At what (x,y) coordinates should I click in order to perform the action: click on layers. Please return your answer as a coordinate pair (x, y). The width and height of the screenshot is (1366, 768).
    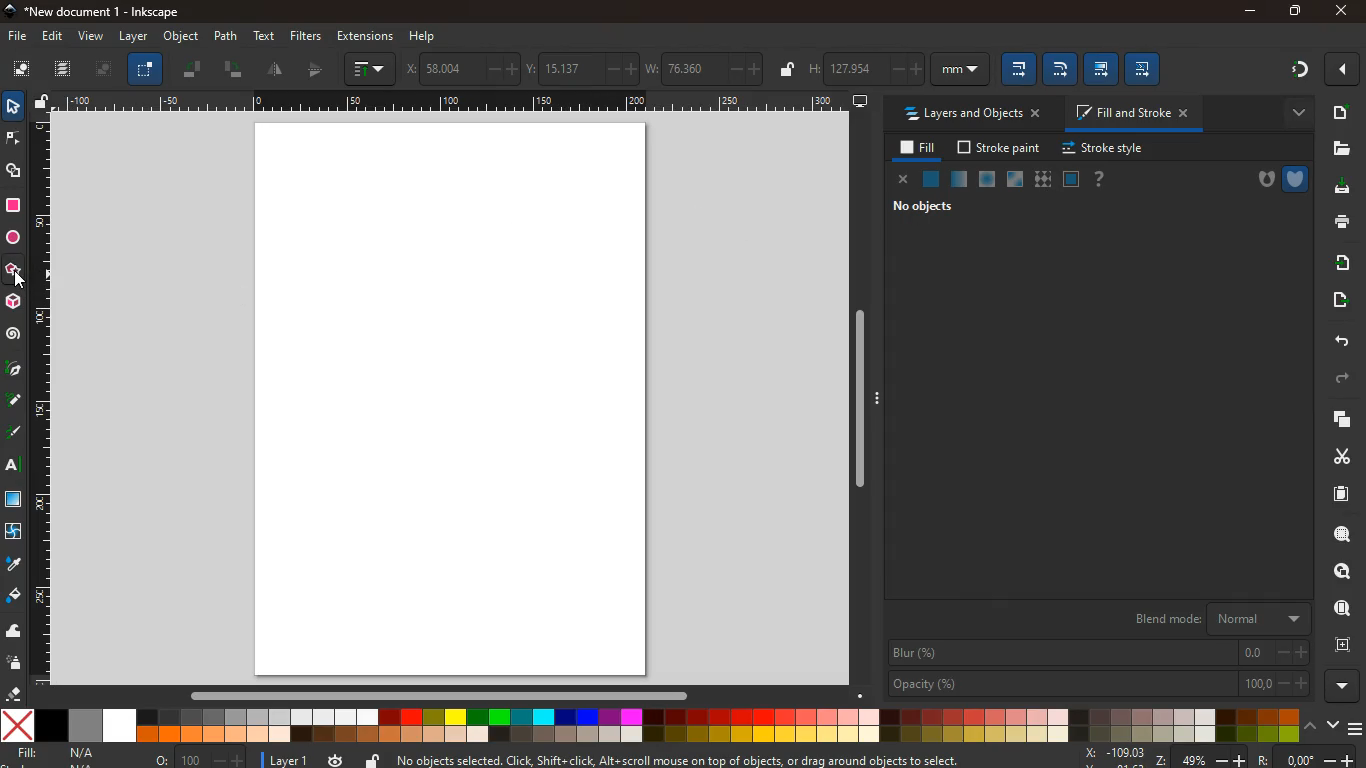
    Looking at the image, I should click on (1334, 419).